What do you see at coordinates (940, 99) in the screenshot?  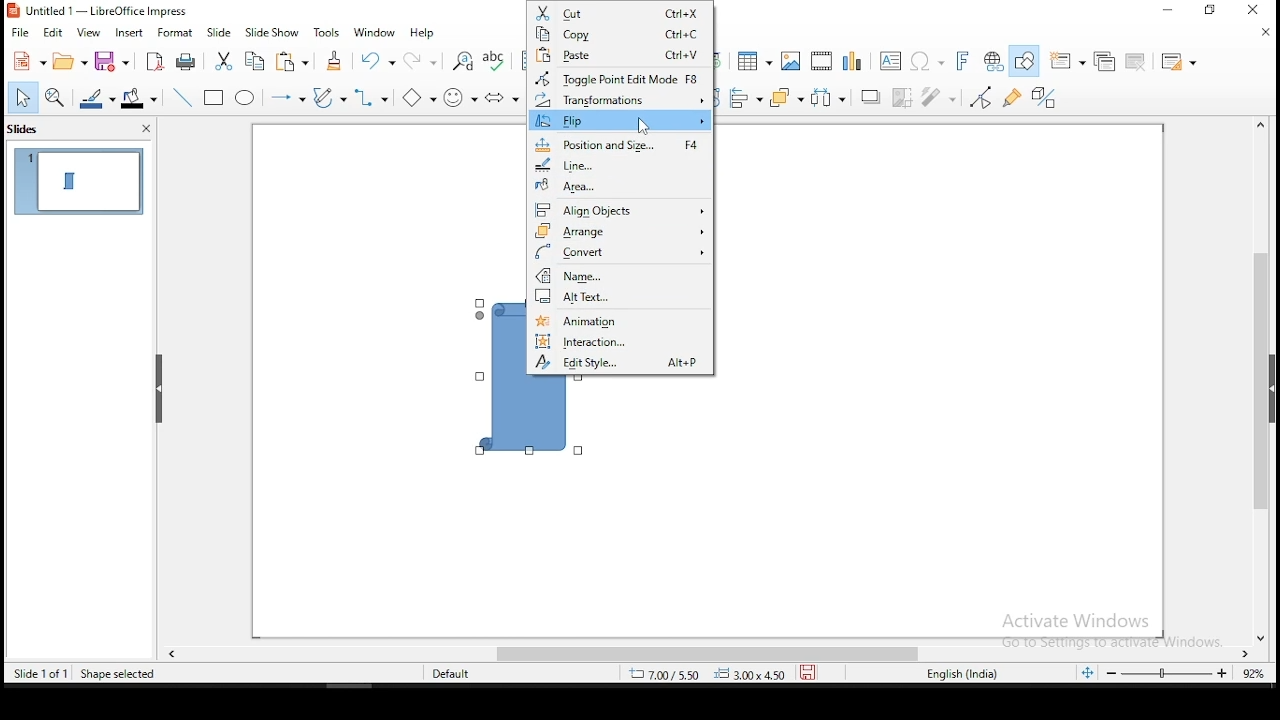 I see `filter` at bounding box center [940, 99].